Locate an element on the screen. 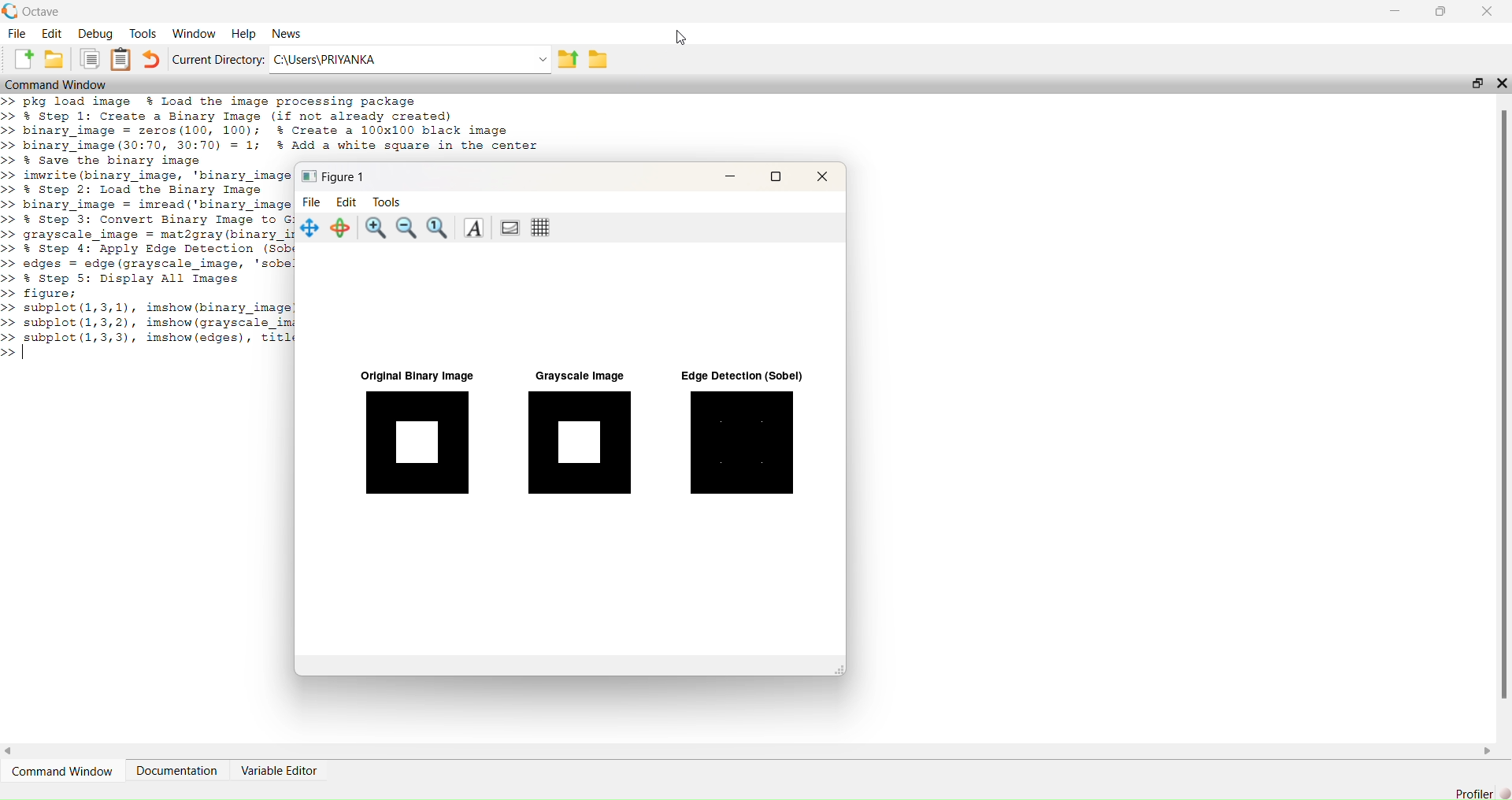  maximise is located at coordinates (1443, 10).